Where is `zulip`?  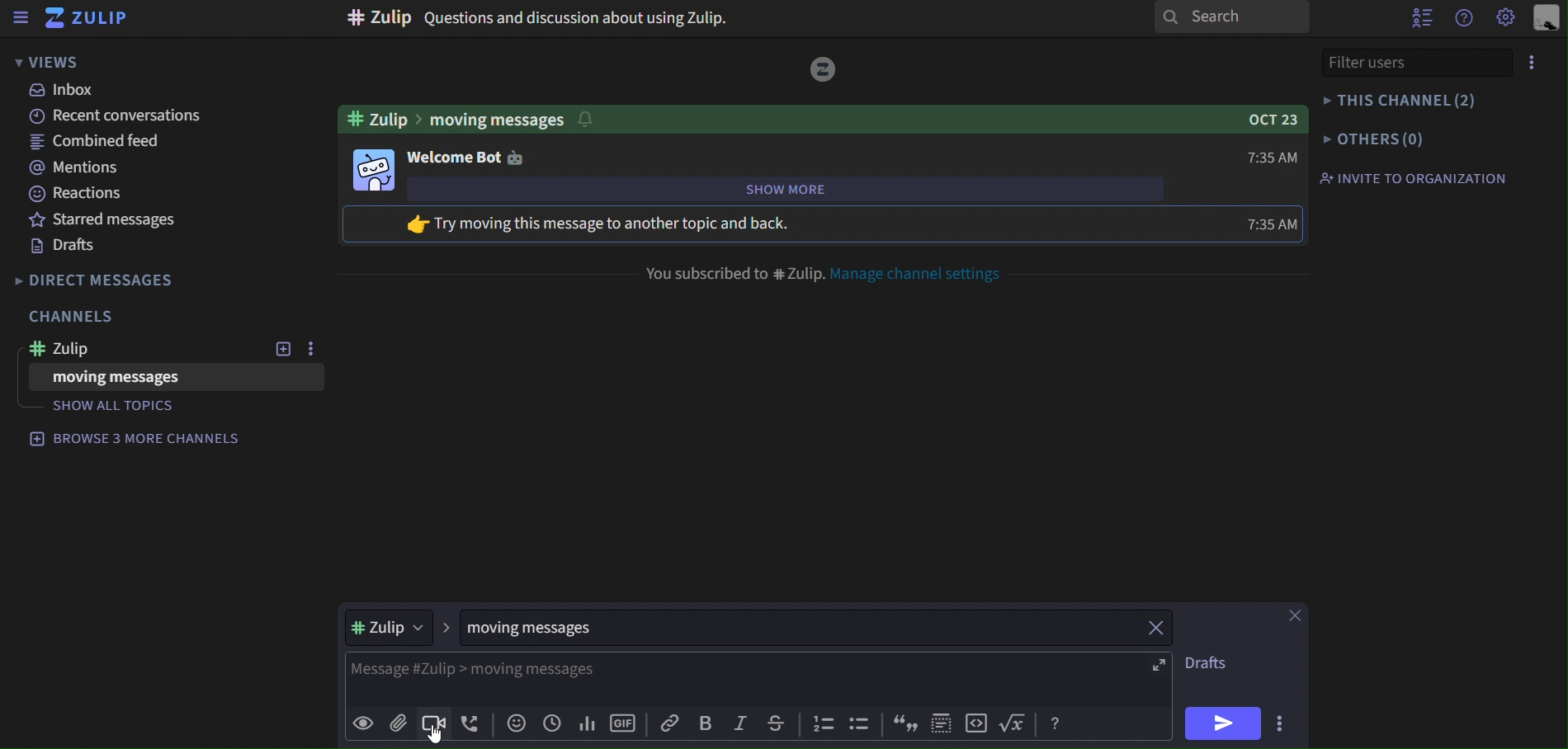 zulip is located at coordinates (396, 628).